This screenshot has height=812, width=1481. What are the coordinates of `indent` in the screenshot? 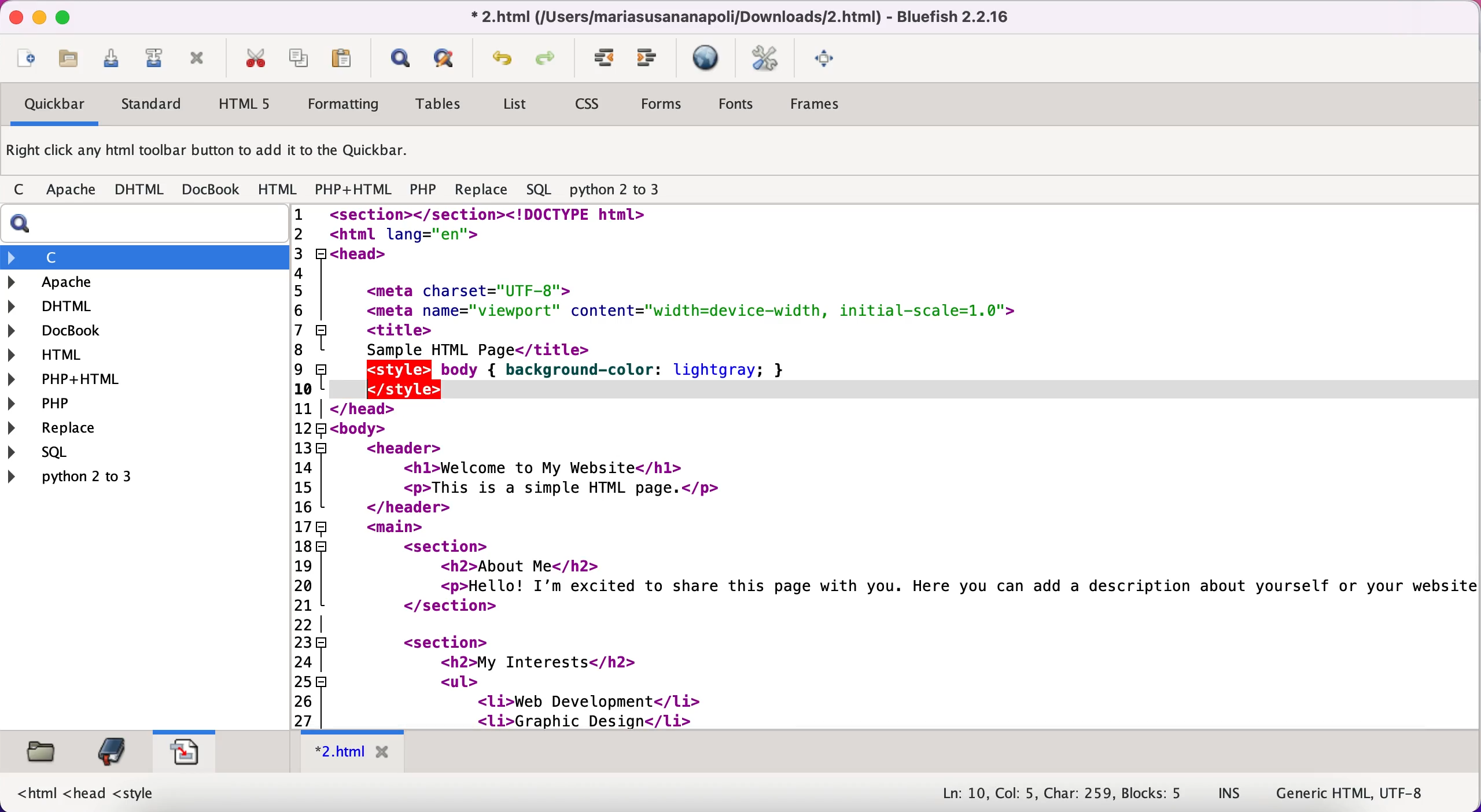 It's located at (605, 58).